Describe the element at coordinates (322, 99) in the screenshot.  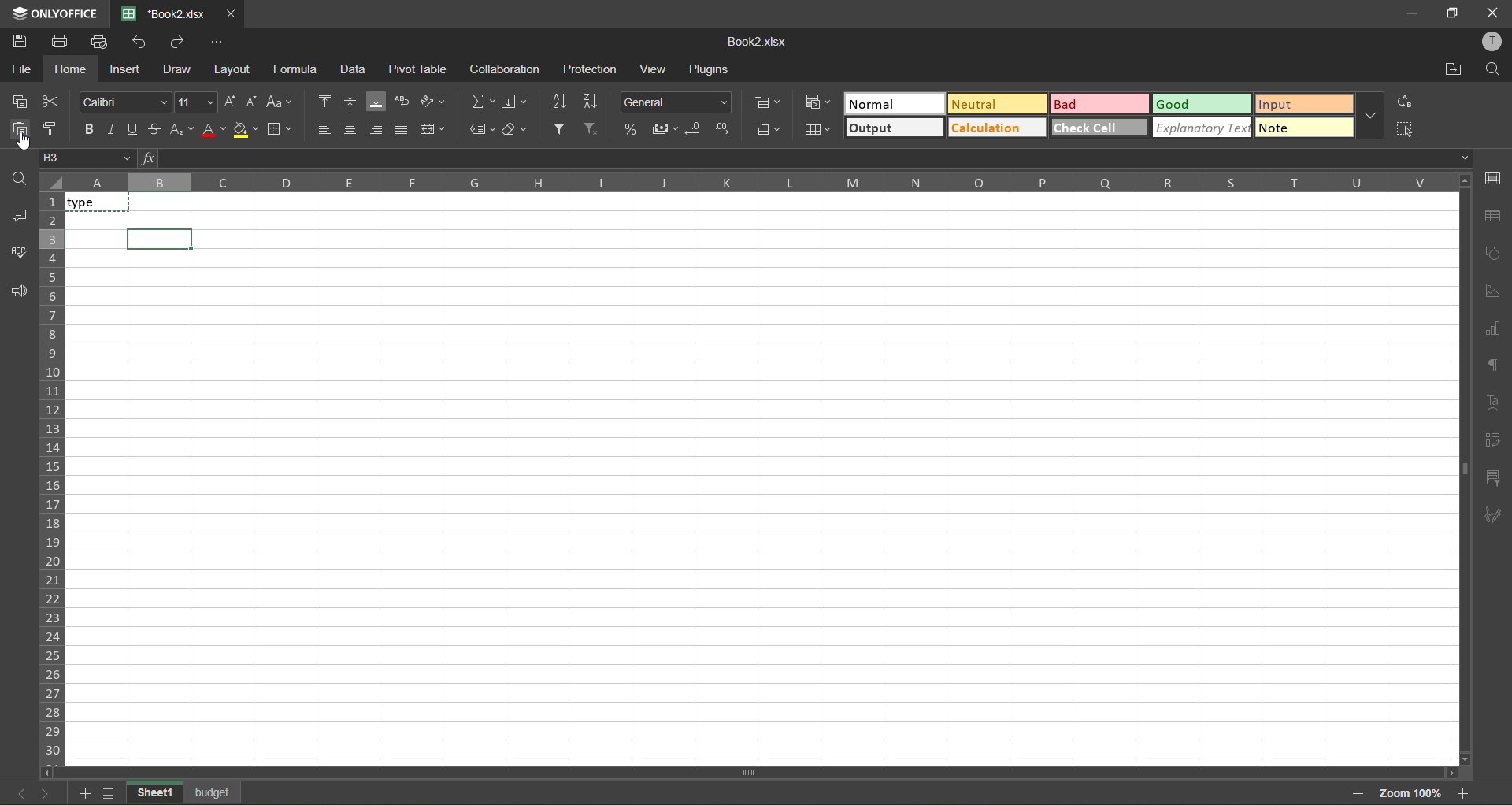
I see `align top` at that location.